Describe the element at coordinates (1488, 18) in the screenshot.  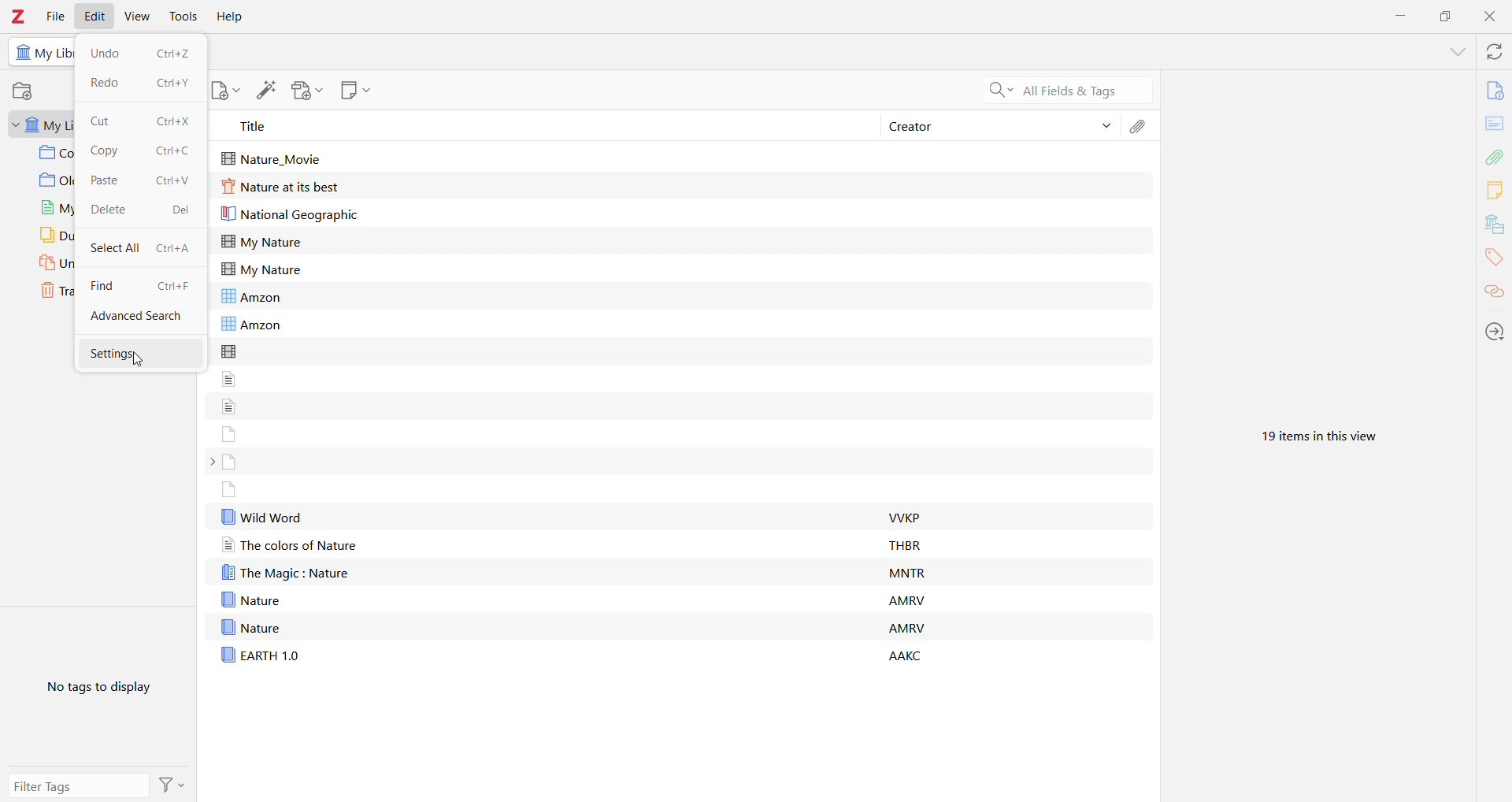
I see `Close` at that location.